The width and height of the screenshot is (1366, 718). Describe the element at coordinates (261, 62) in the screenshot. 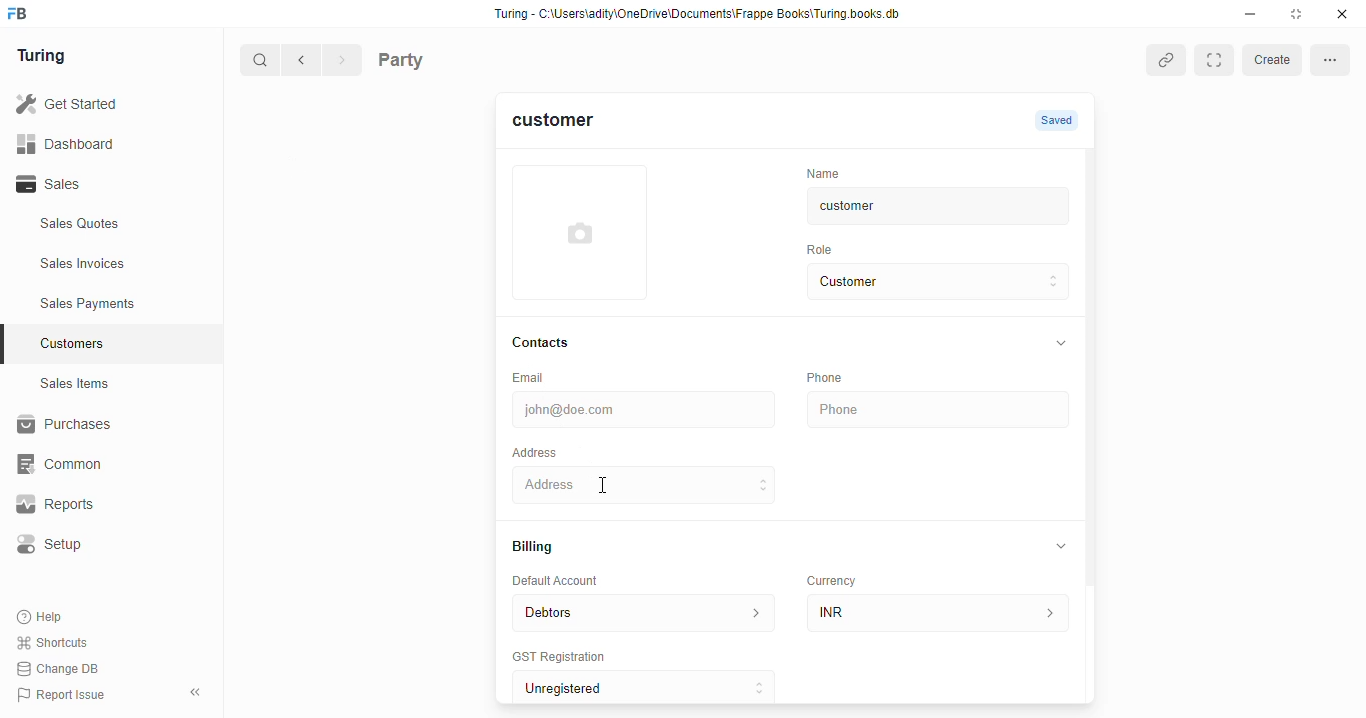

I see `search` at that location.